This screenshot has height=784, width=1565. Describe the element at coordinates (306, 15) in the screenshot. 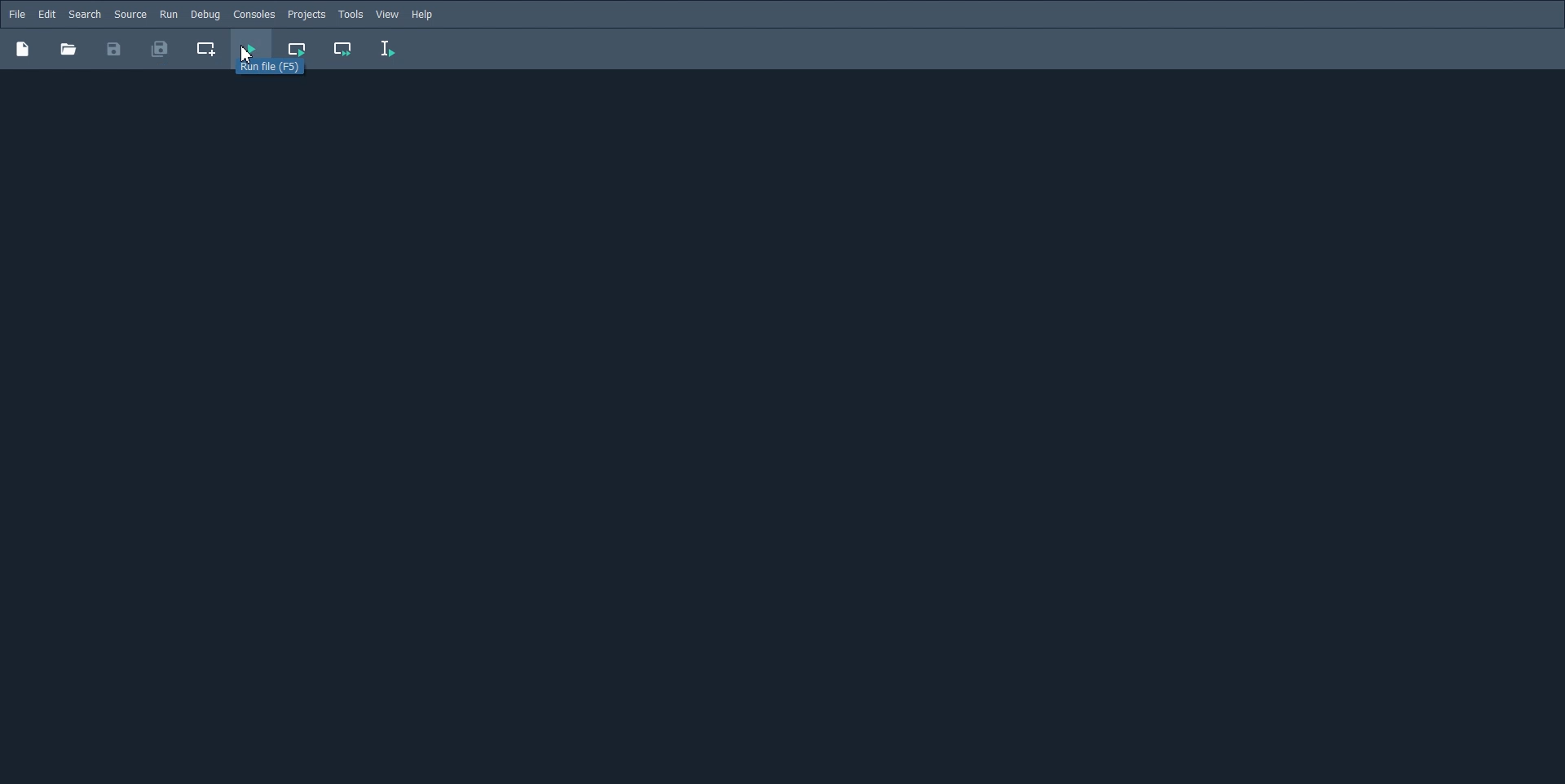

I see `Projects` at that location.